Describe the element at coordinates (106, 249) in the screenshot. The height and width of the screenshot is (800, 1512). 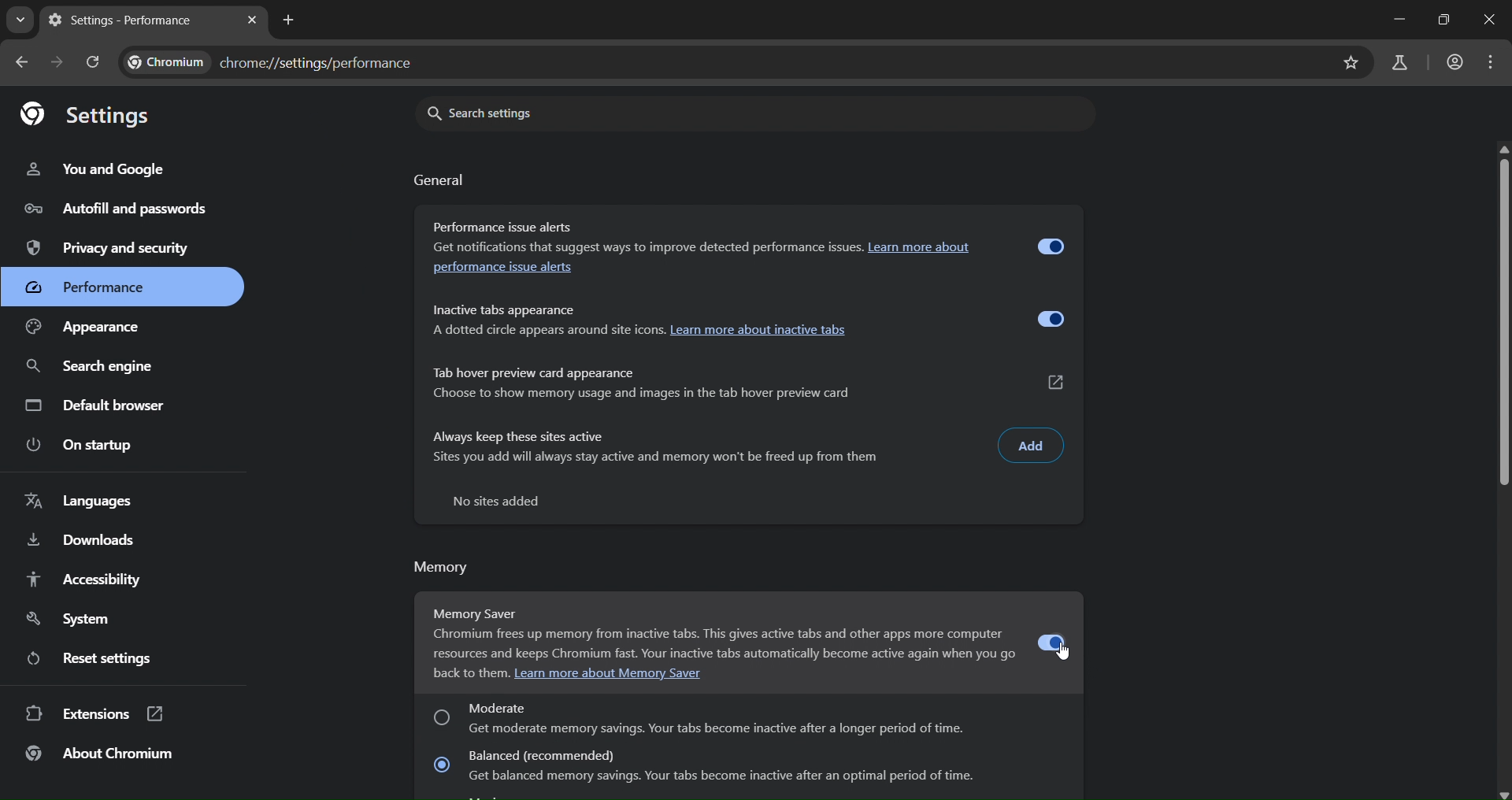
I see `Privacy and security` at that location.